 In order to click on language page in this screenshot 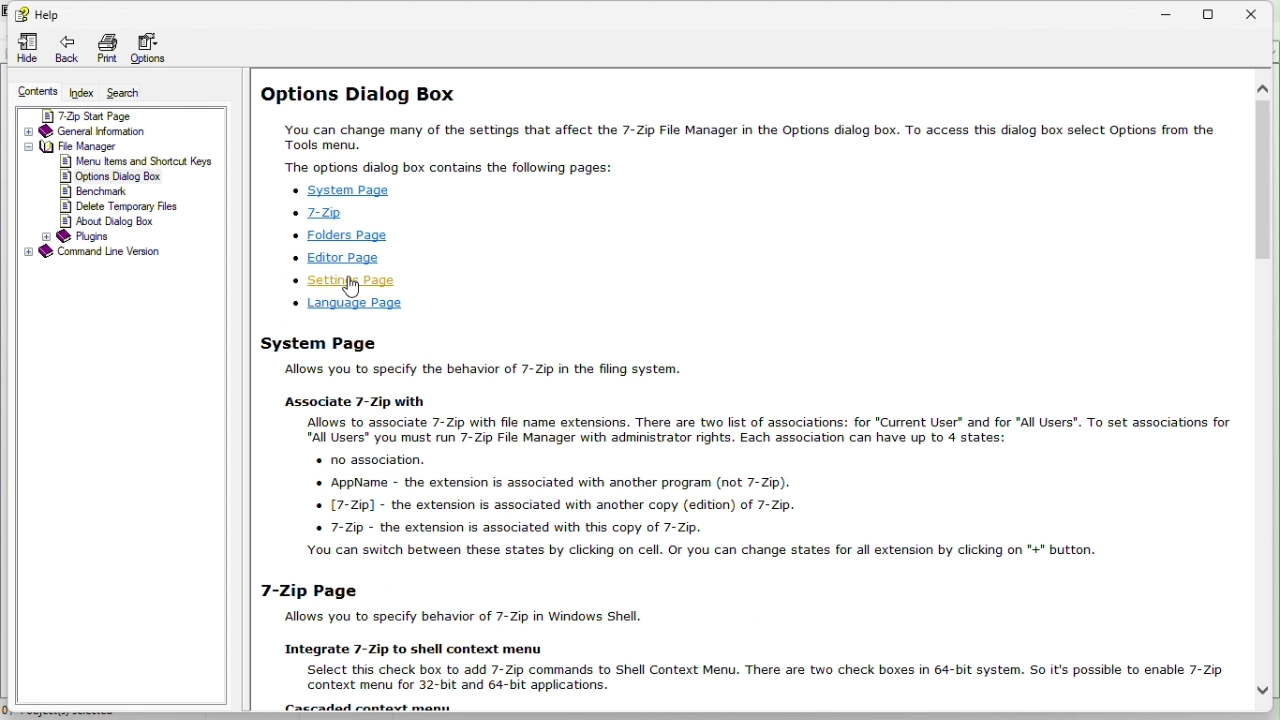, I will do `click(351, 304)`.